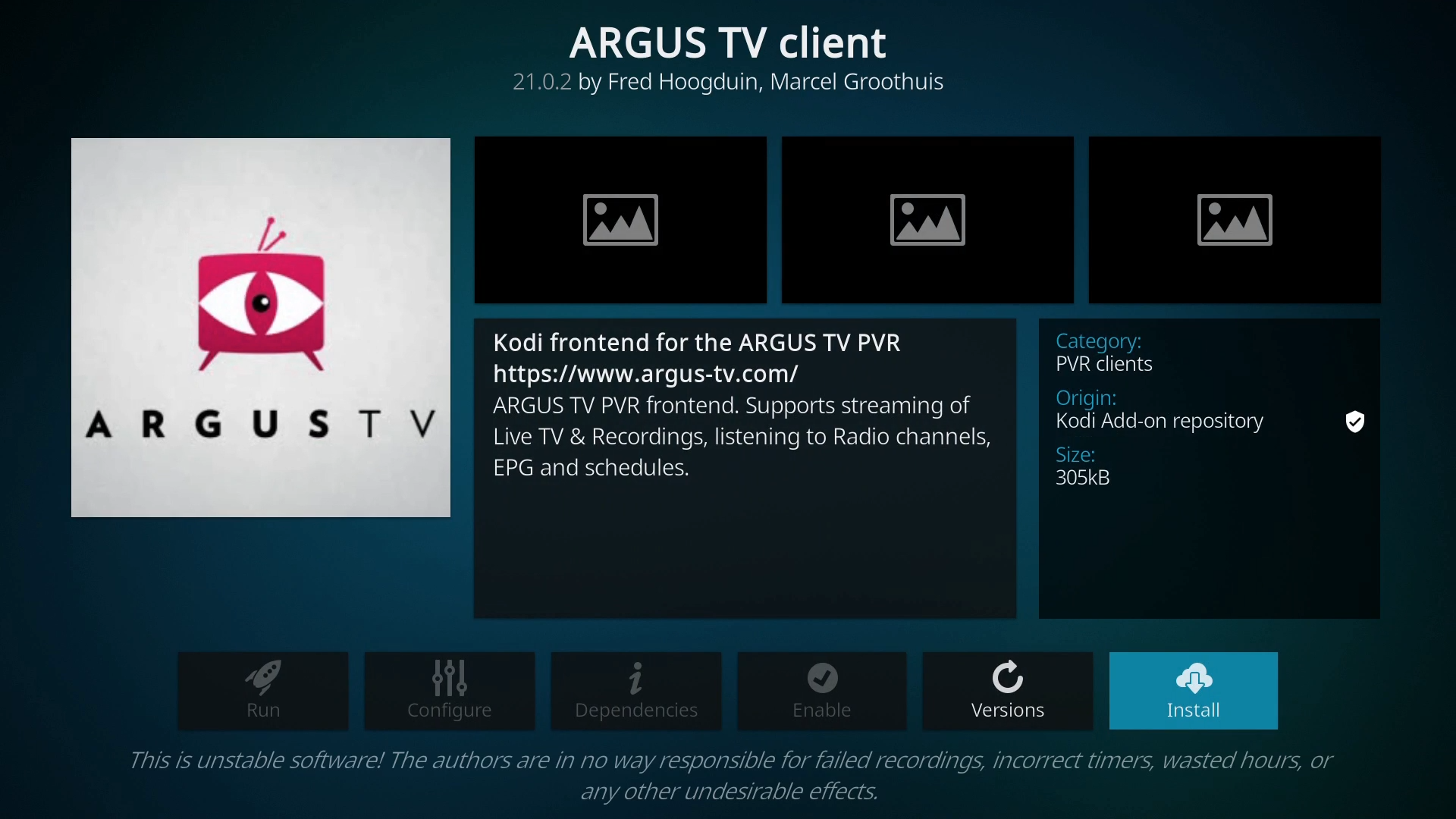  Describe the element at coordinates (736, 86) in the screenshot. I see `21.0.2 by Fred Hoogduin, Marcel Groothuis` at that location.